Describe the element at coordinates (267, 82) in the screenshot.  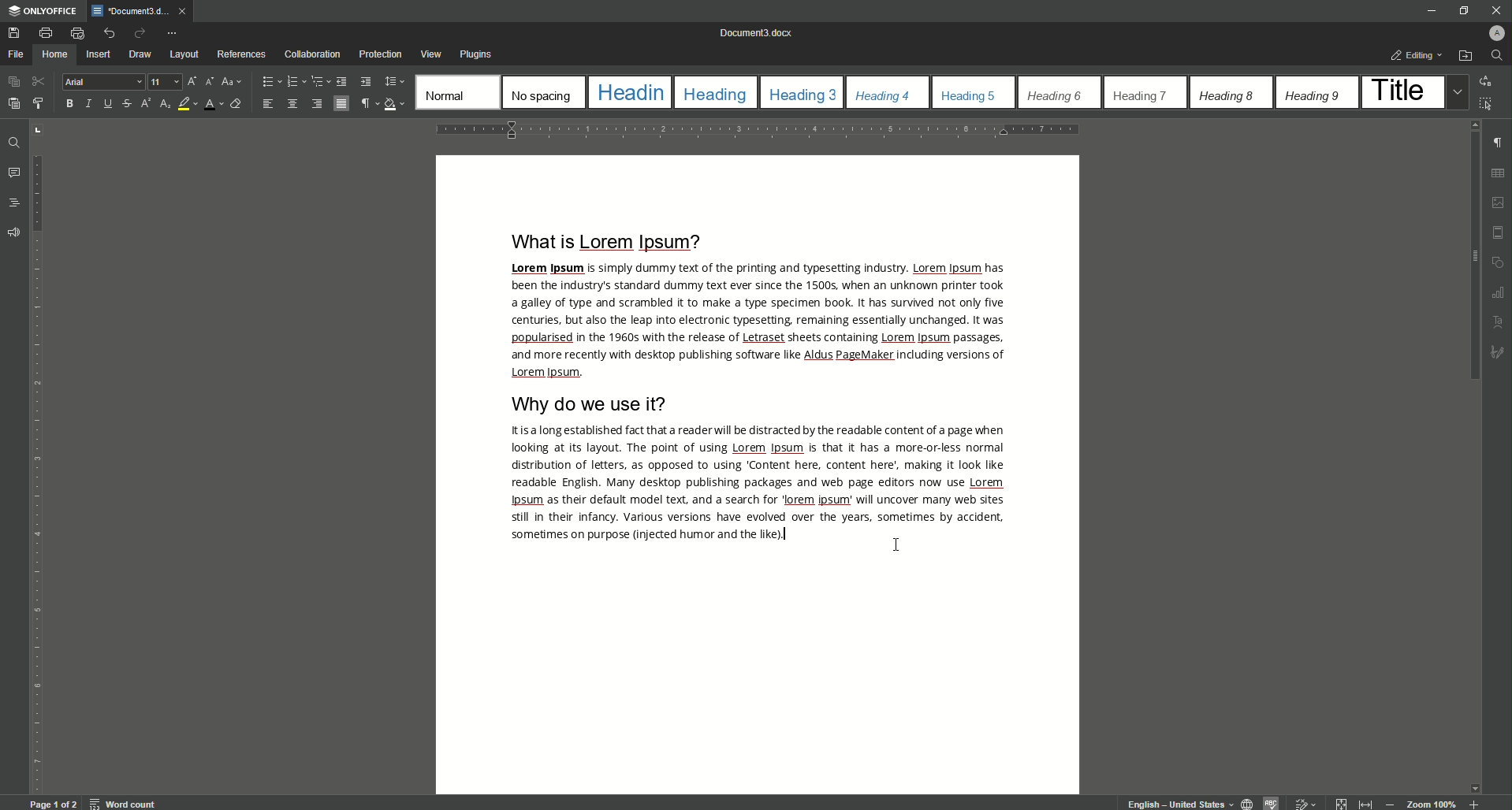
I see `Bullets` at that location.